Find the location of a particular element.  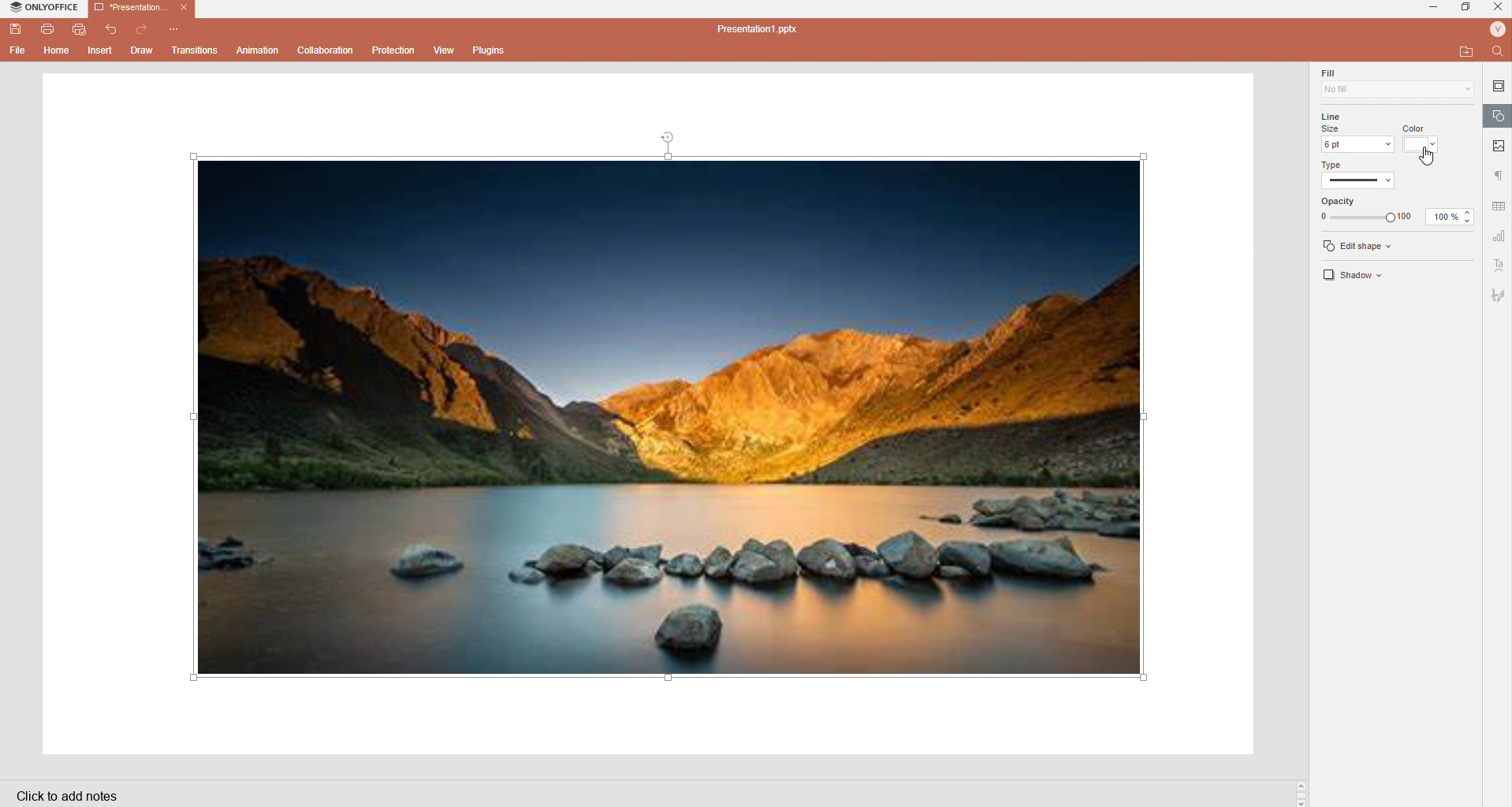

Line Opacity is located at coordinates (1367, 207).